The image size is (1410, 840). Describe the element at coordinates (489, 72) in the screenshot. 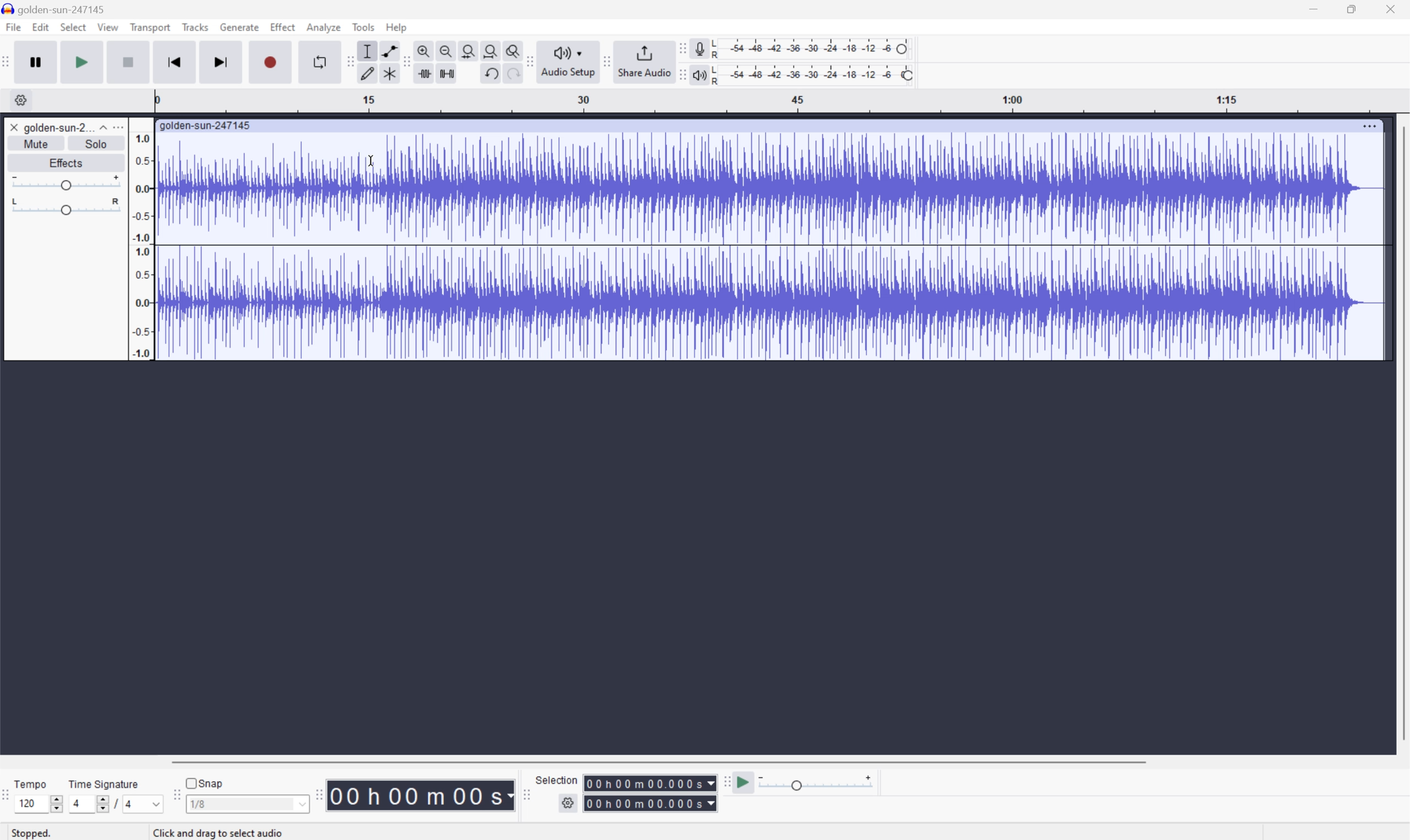

I see `Undo` at that location.